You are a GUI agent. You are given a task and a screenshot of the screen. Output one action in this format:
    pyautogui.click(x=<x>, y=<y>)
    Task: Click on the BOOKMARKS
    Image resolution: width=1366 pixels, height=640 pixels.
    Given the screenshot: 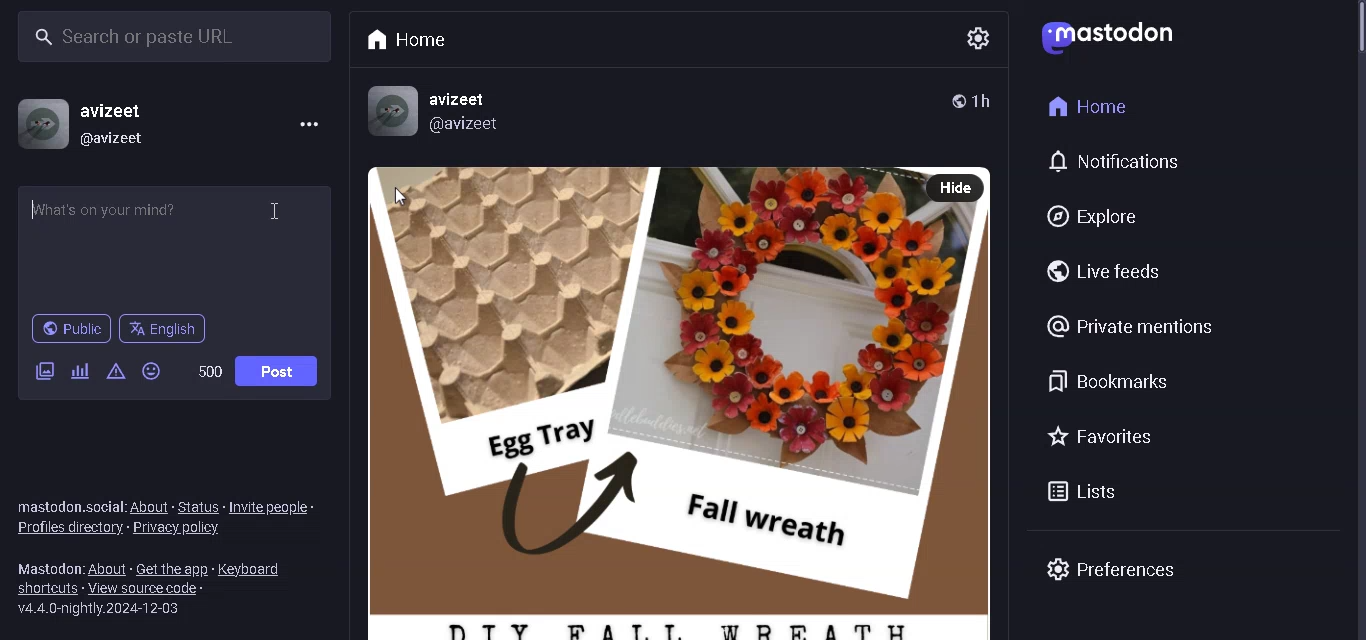 What is the action you would take?
    pyautogui.click(x=1112, y=379)
    